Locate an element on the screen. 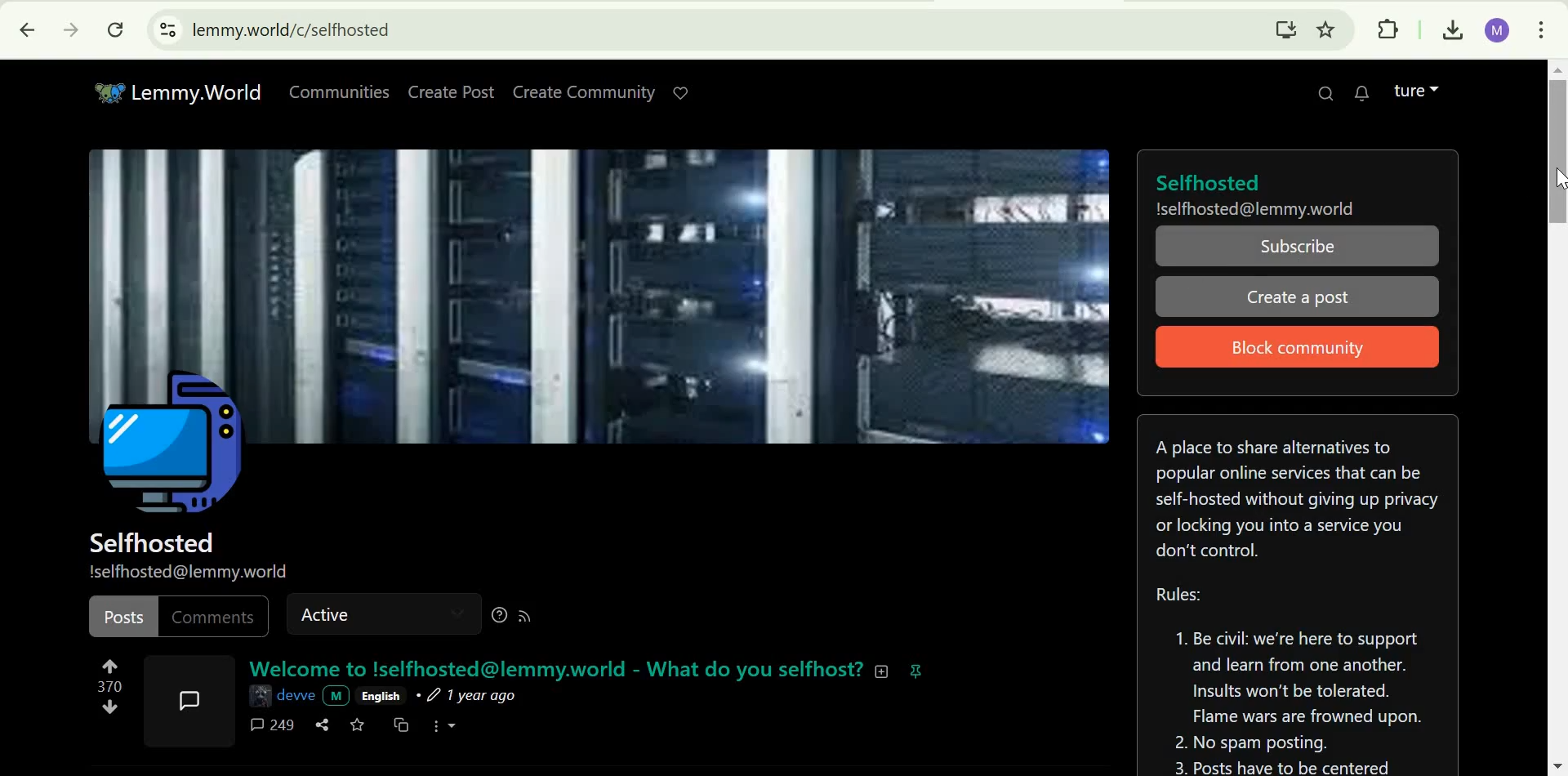  Save is located at coordinates (359, 725).